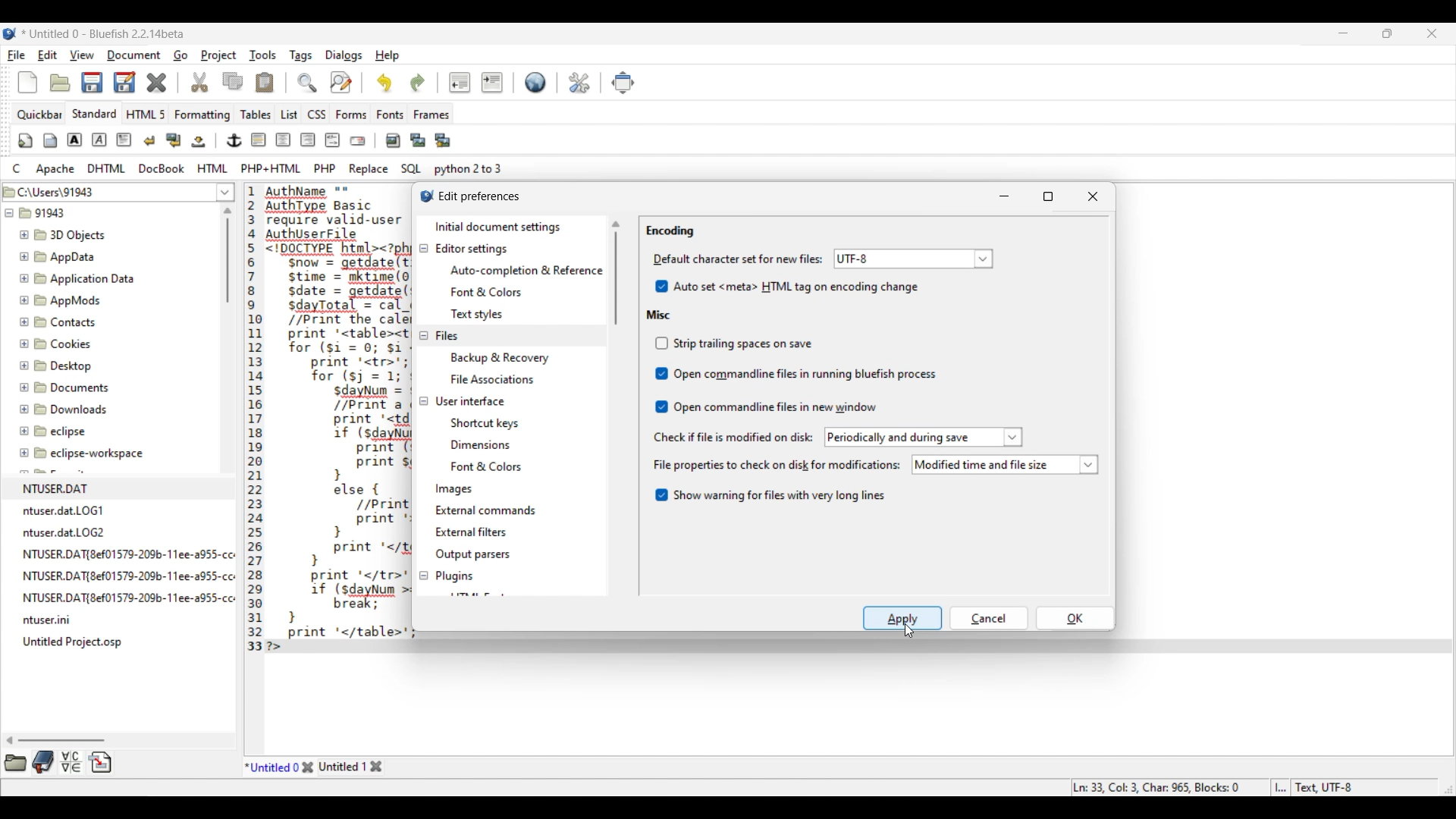  Describe the element at coordinates (527, 368) in the screenshot. I see `Files setting options` at that location.